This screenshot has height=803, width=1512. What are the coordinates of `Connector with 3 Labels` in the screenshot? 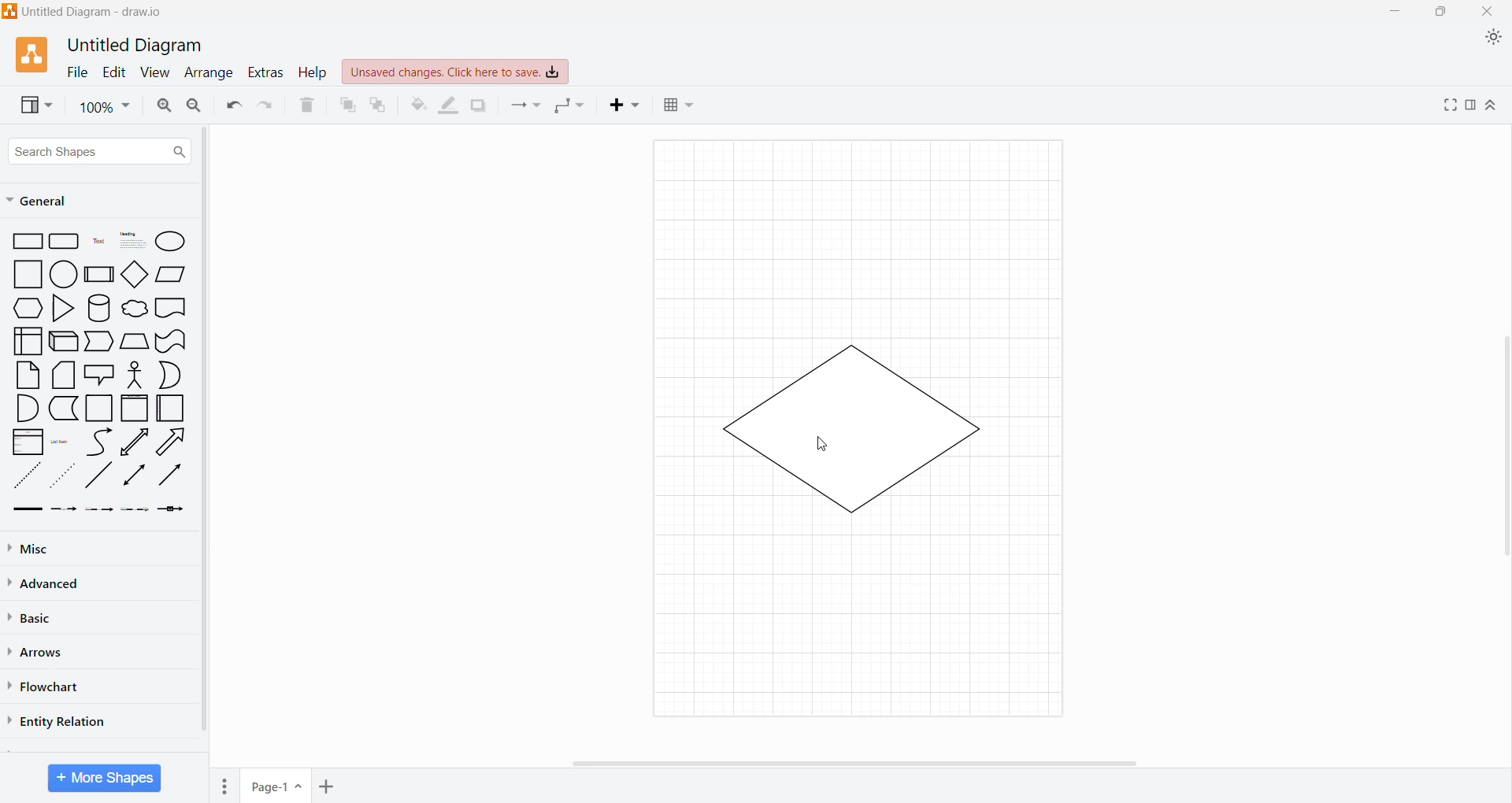 It's located at (137, 511).